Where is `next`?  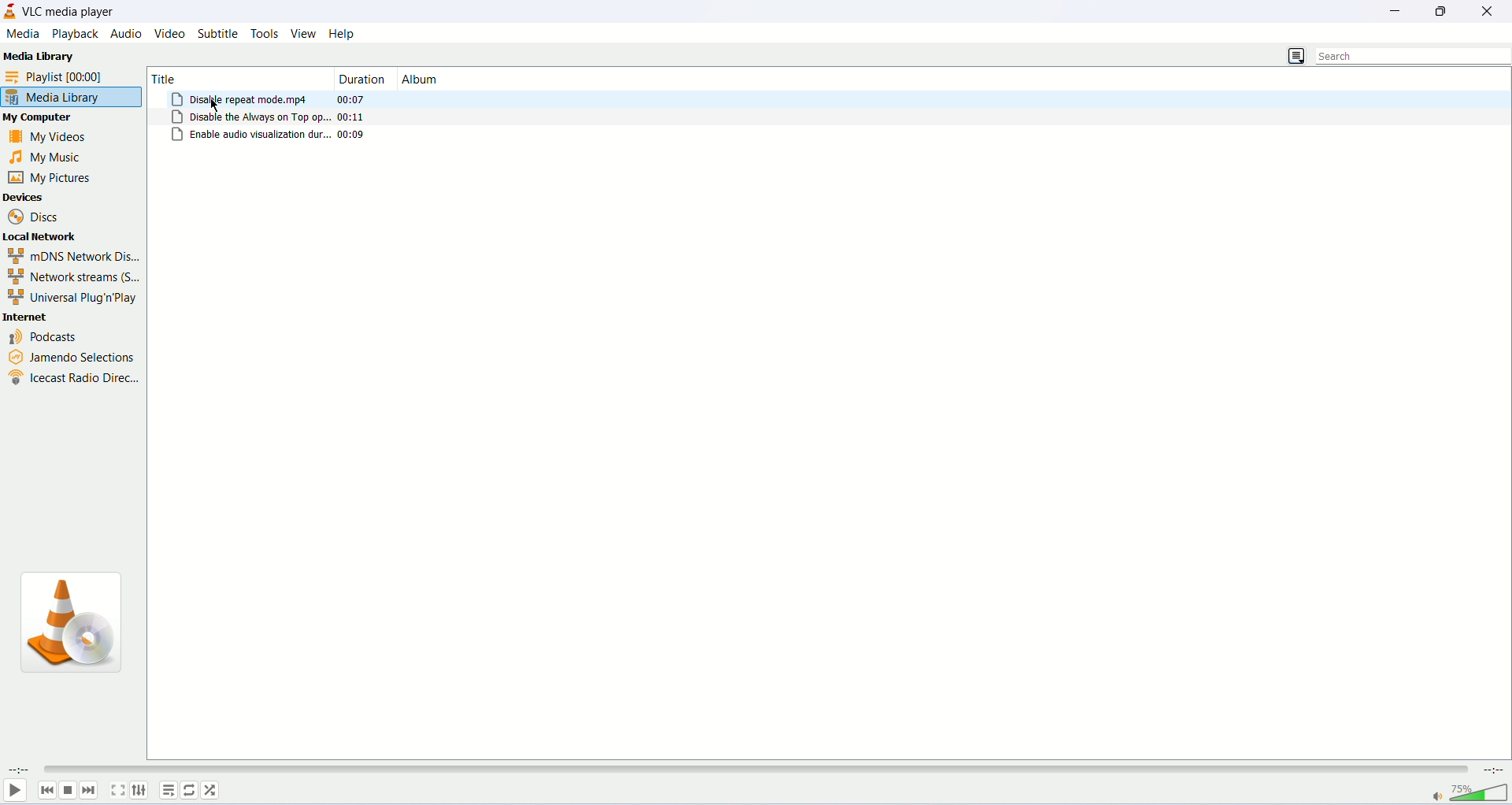
next is located at coordinates (89, 790).